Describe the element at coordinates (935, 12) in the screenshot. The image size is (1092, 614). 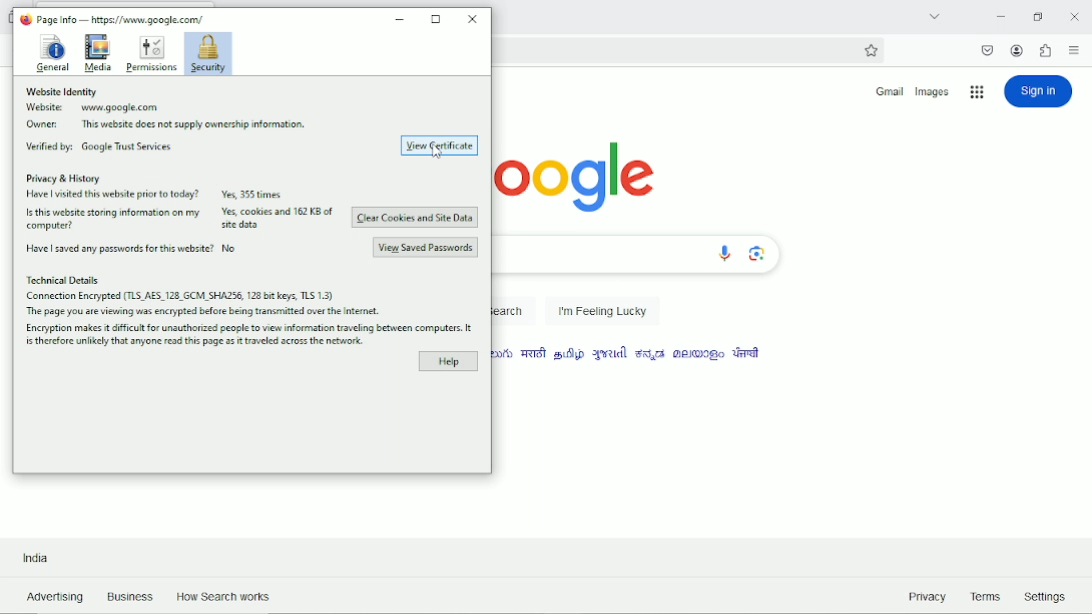
I see `List all tabs` at that location.